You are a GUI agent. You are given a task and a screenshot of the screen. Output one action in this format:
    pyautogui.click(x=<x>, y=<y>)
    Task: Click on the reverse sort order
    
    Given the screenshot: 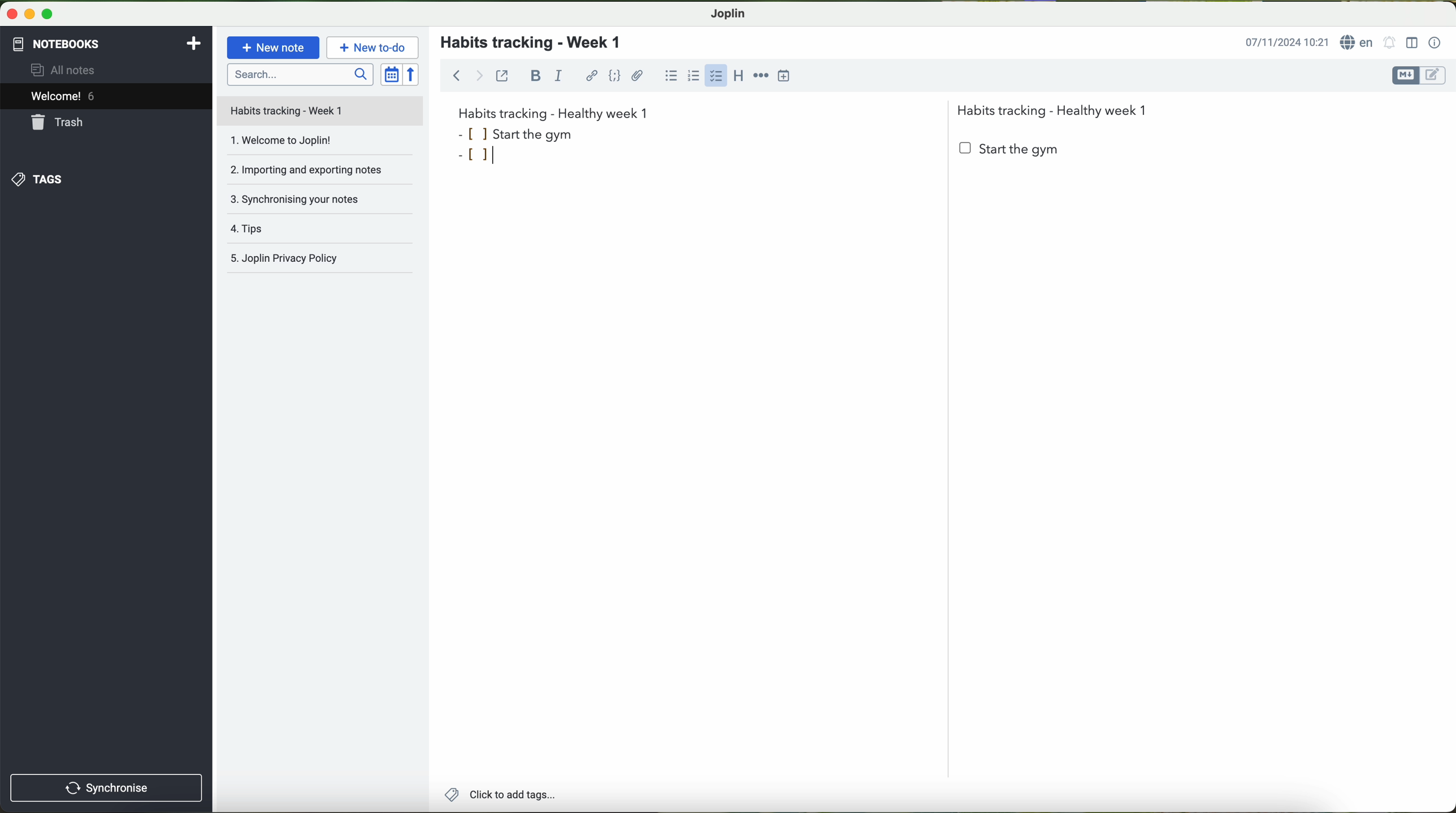 What is the action you would take?
    pyautogui.click(x=412, y=74)
    